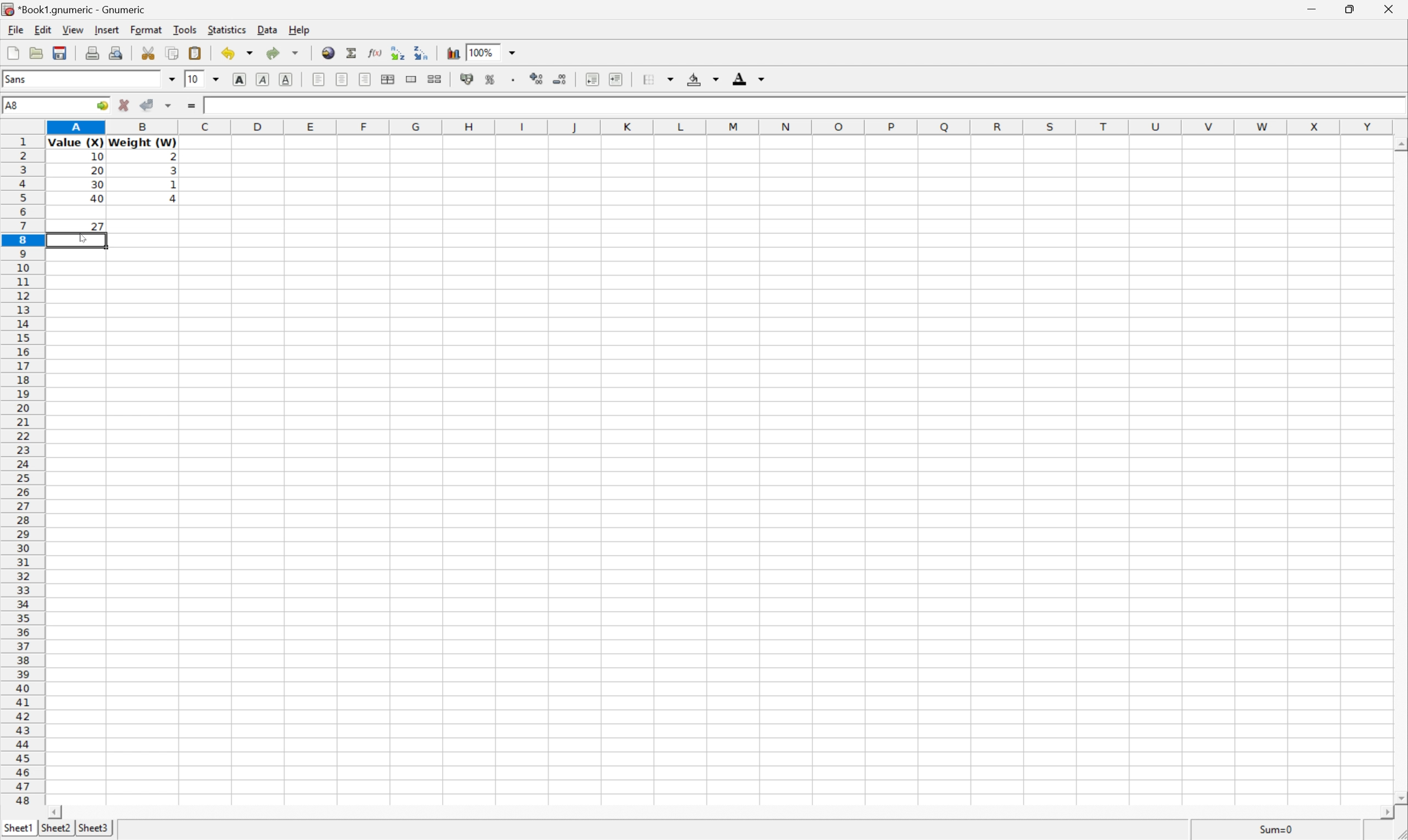  I want to click on Tools, so click(187, 29).